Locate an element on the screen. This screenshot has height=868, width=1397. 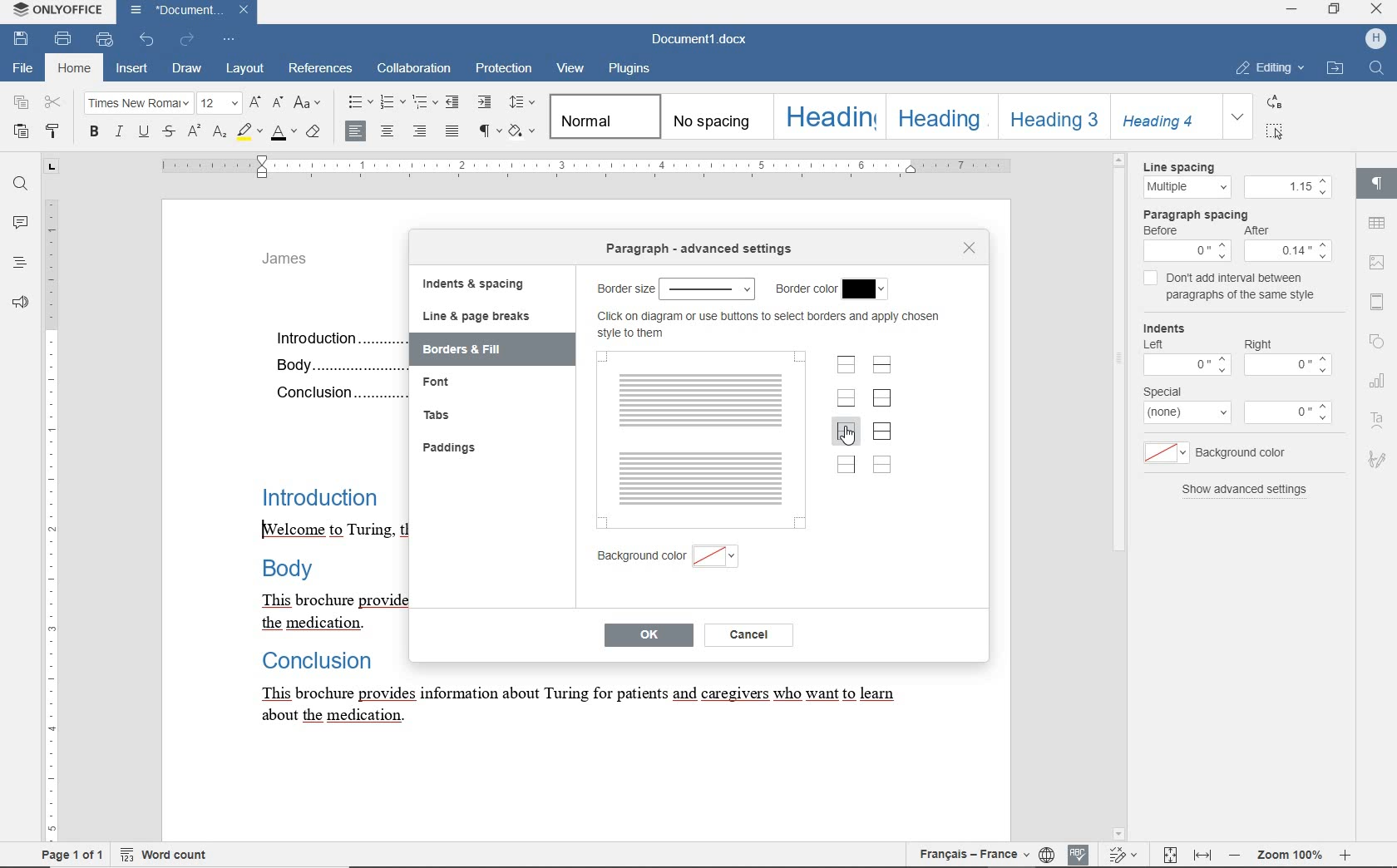
This brochure provides information about Turing for patients and caregivers who want to learn
about the medication. is located at coordinates (586, 708).